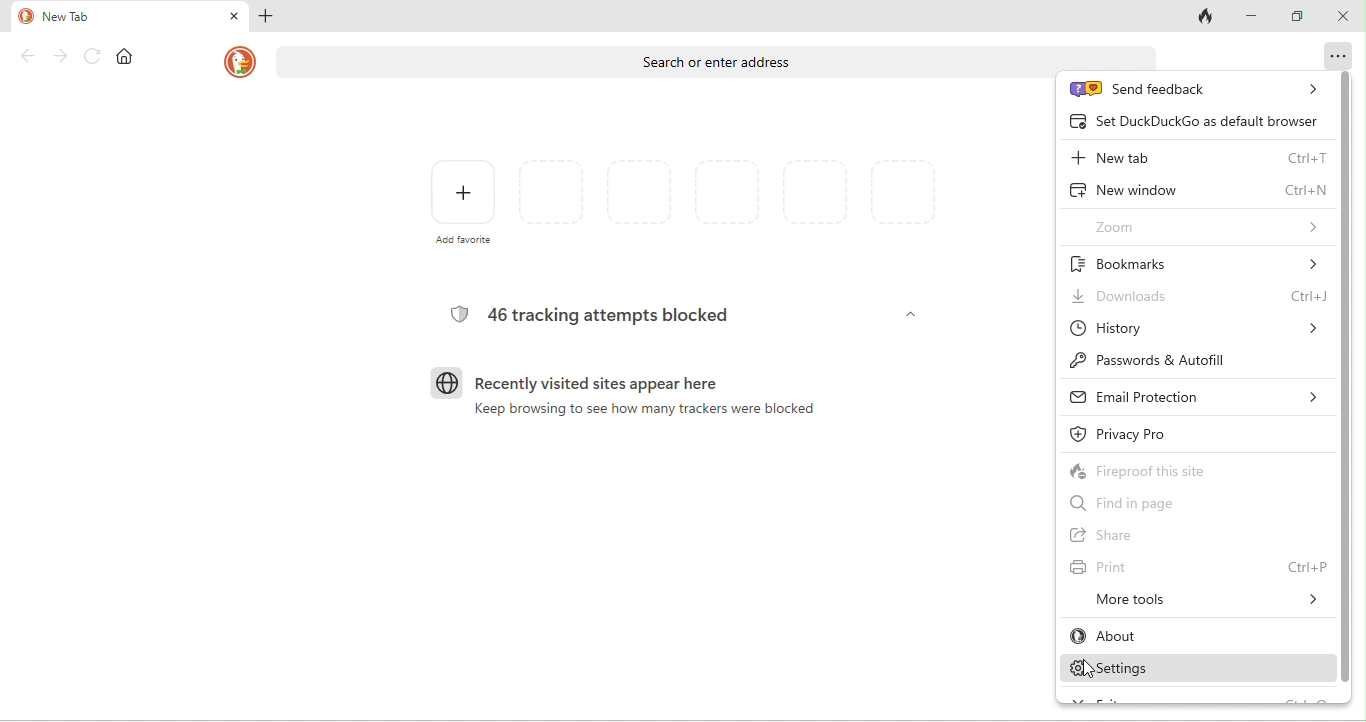 This screenshot has width=1366, height=722. Describe the element at coordinates (61, 57) in the screenshot. I see `forward` at that location.